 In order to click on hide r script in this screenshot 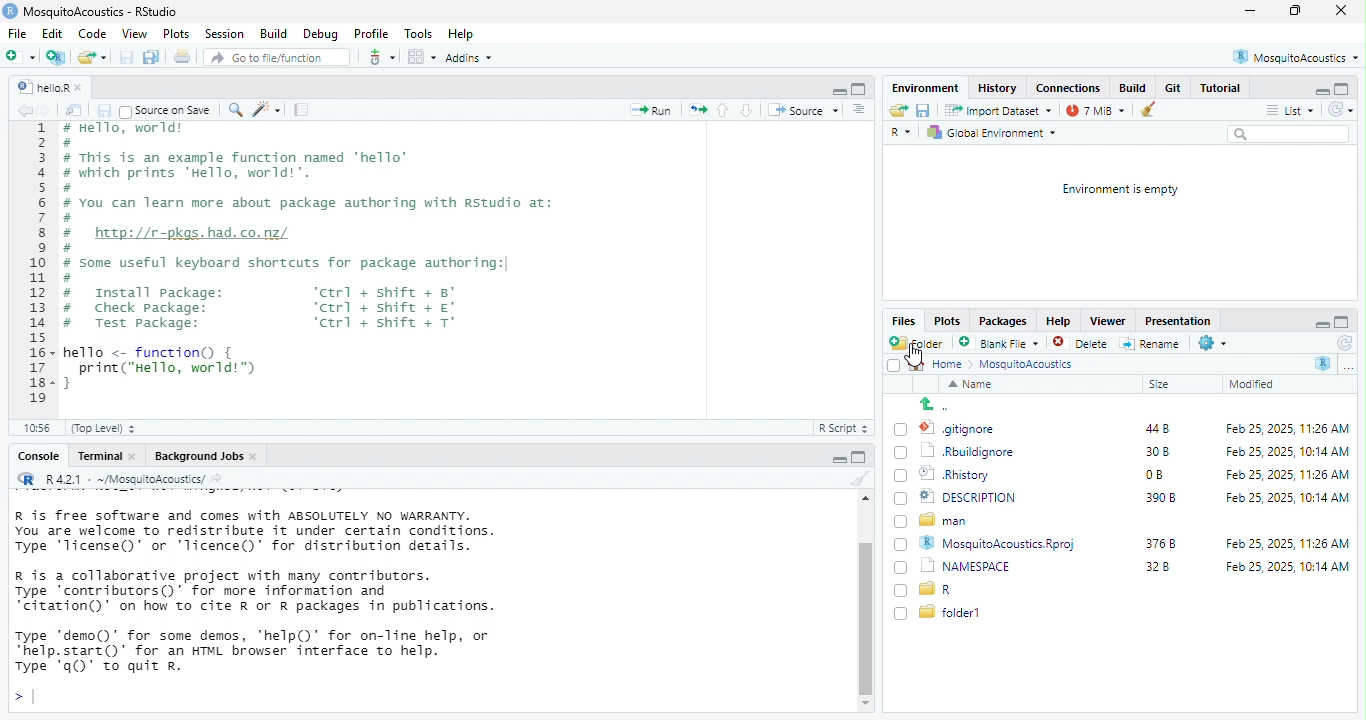, I will do `click(831, 459)`.